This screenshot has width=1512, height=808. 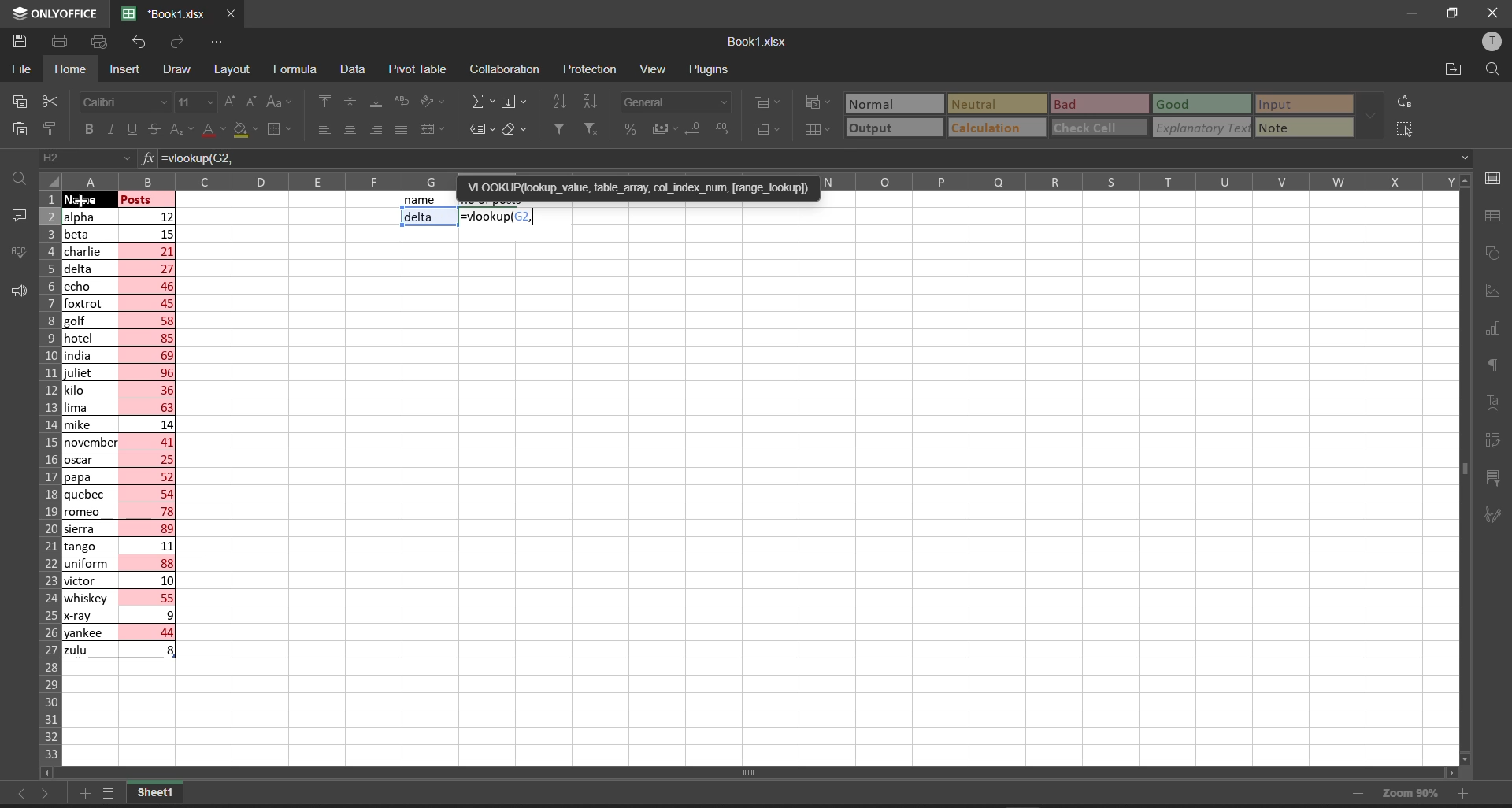 I want to click on clear, so click(x=515, y=130).